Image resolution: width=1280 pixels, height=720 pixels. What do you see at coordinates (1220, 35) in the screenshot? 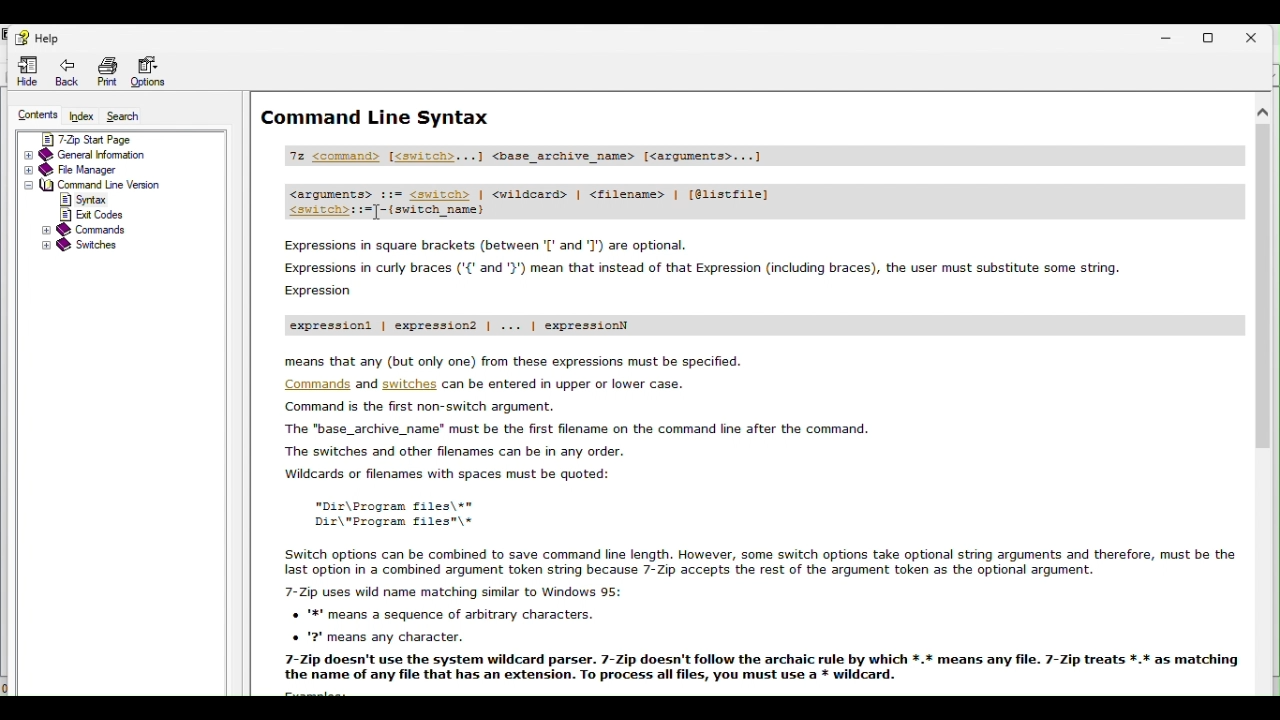
I see `restore ` at bounding box center [1220, 35].